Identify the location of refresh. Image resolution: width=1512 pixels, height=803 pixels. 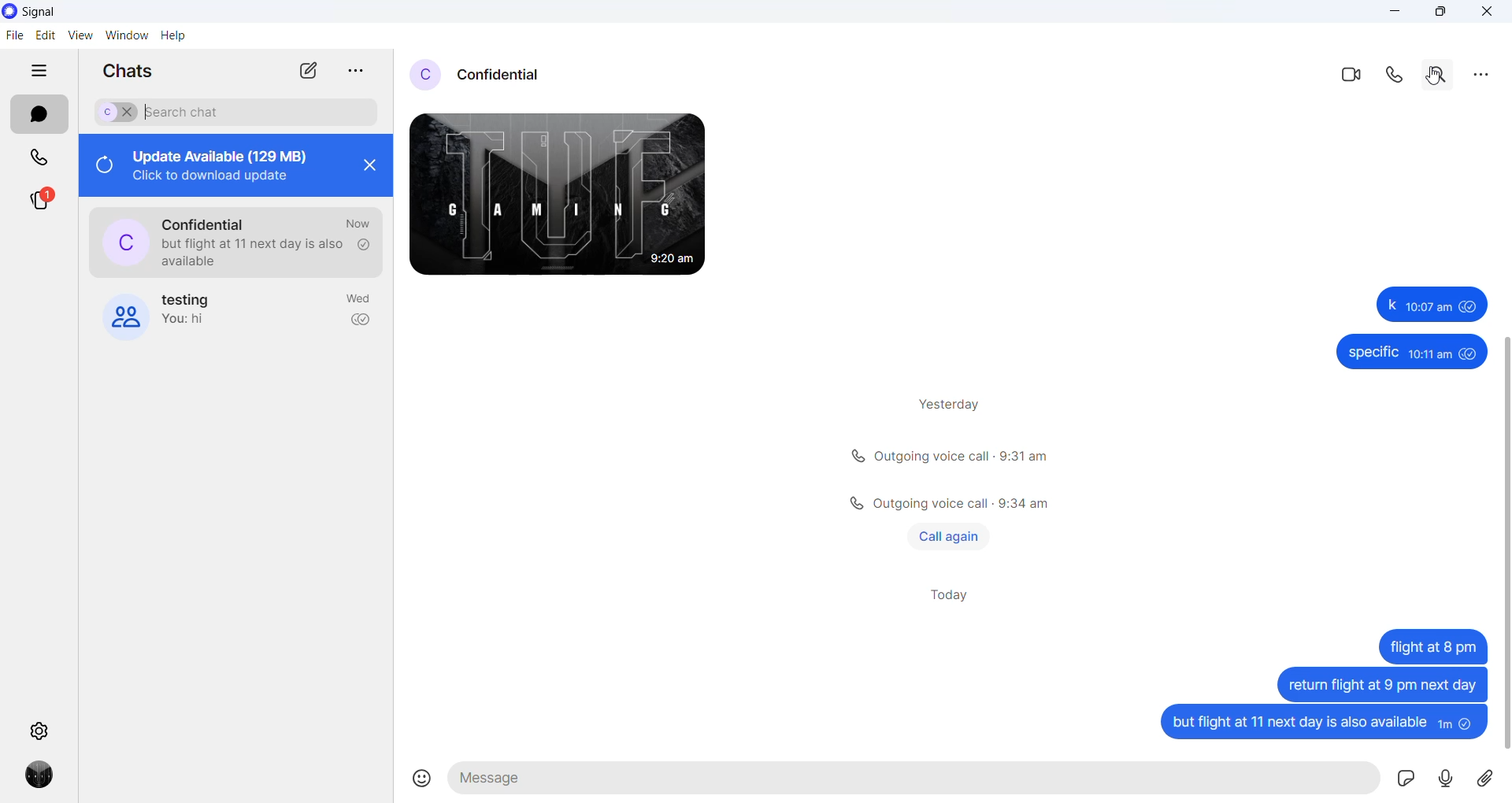
(102, 167).